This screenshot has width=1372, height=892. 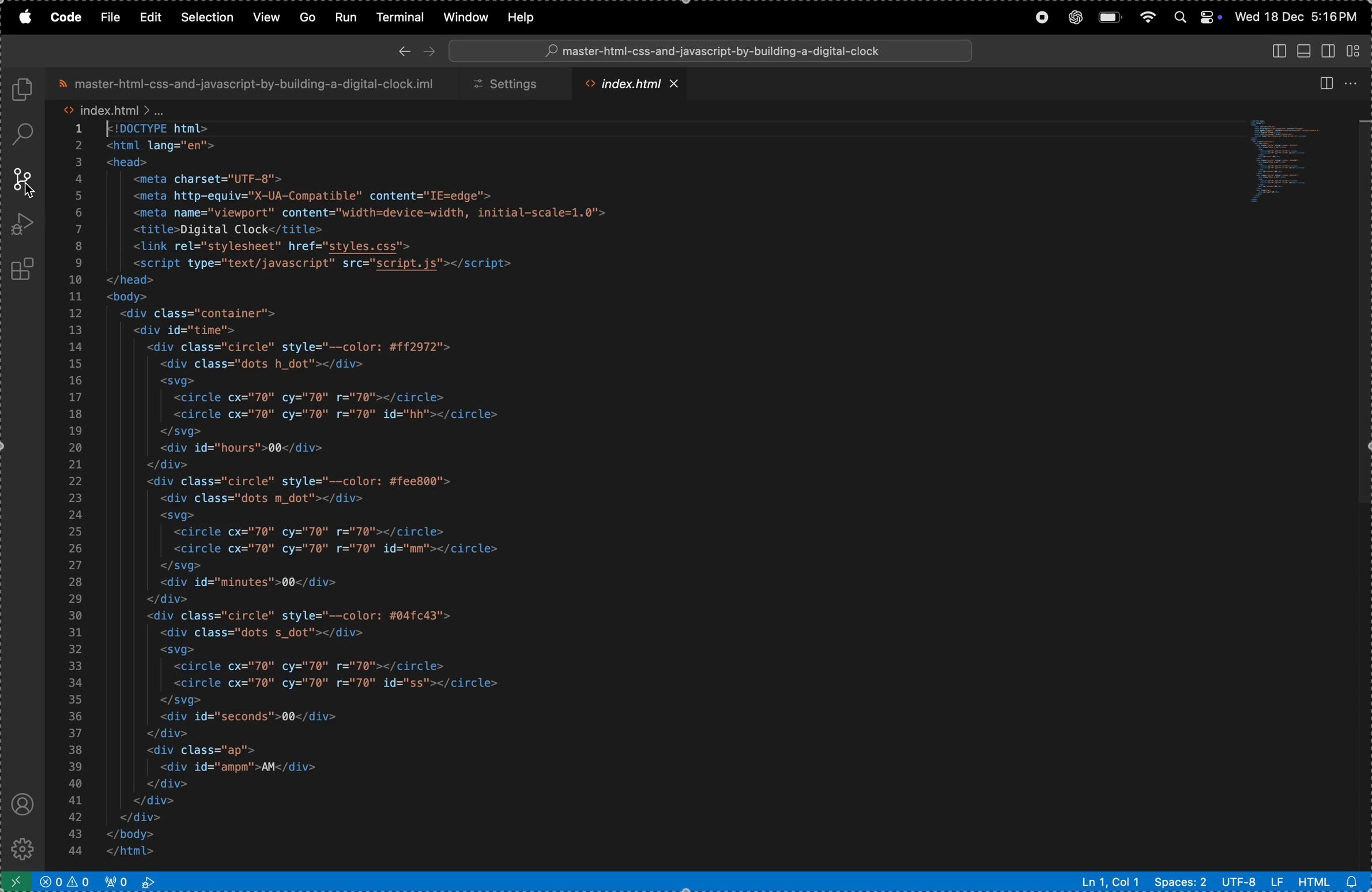 I want to click on <circle cx="70" cy="70" r="70" id="ss"></circle>, so click(x=339, y=683).